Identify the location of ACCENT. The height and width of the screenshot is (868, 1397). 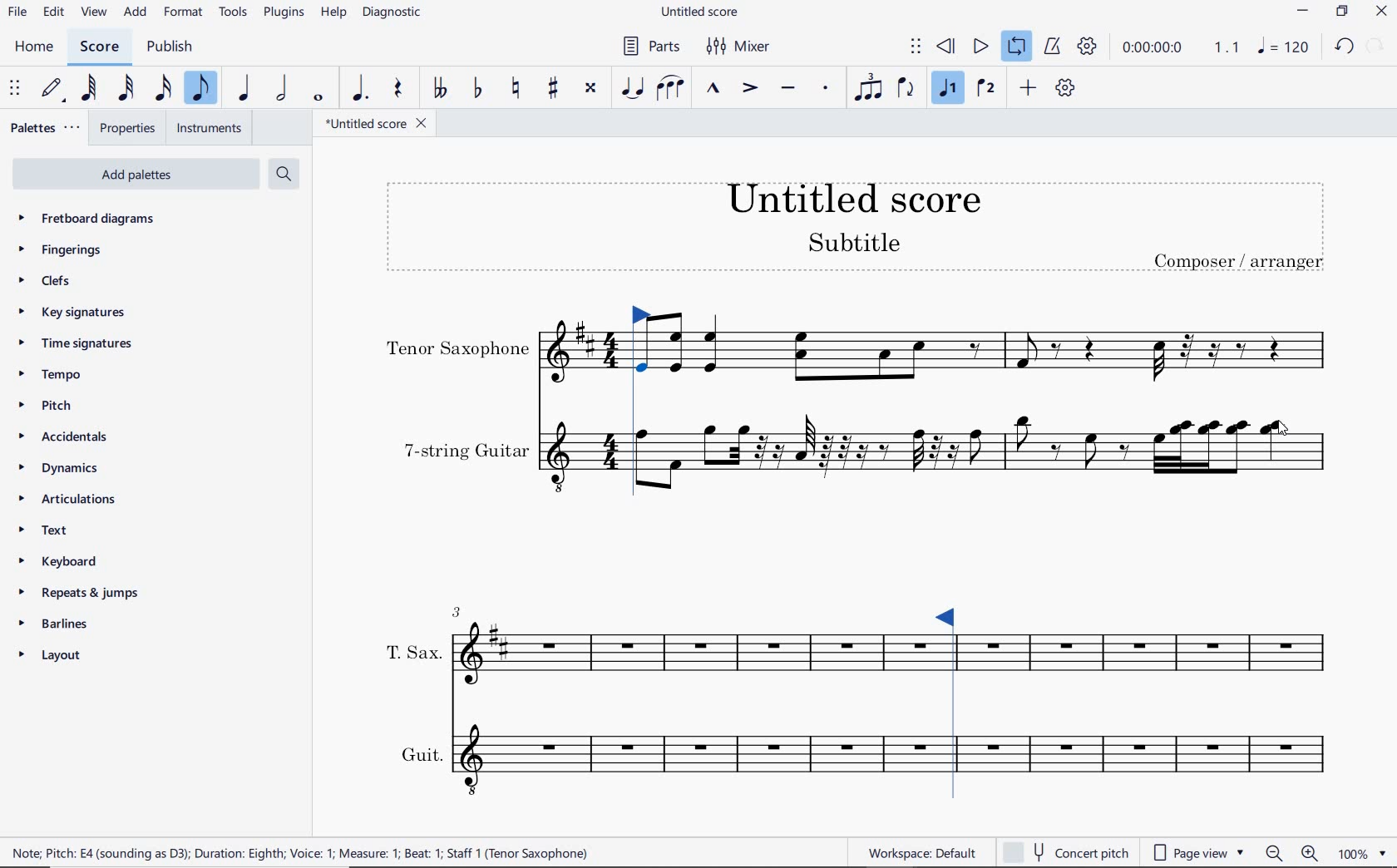
(748, 90).